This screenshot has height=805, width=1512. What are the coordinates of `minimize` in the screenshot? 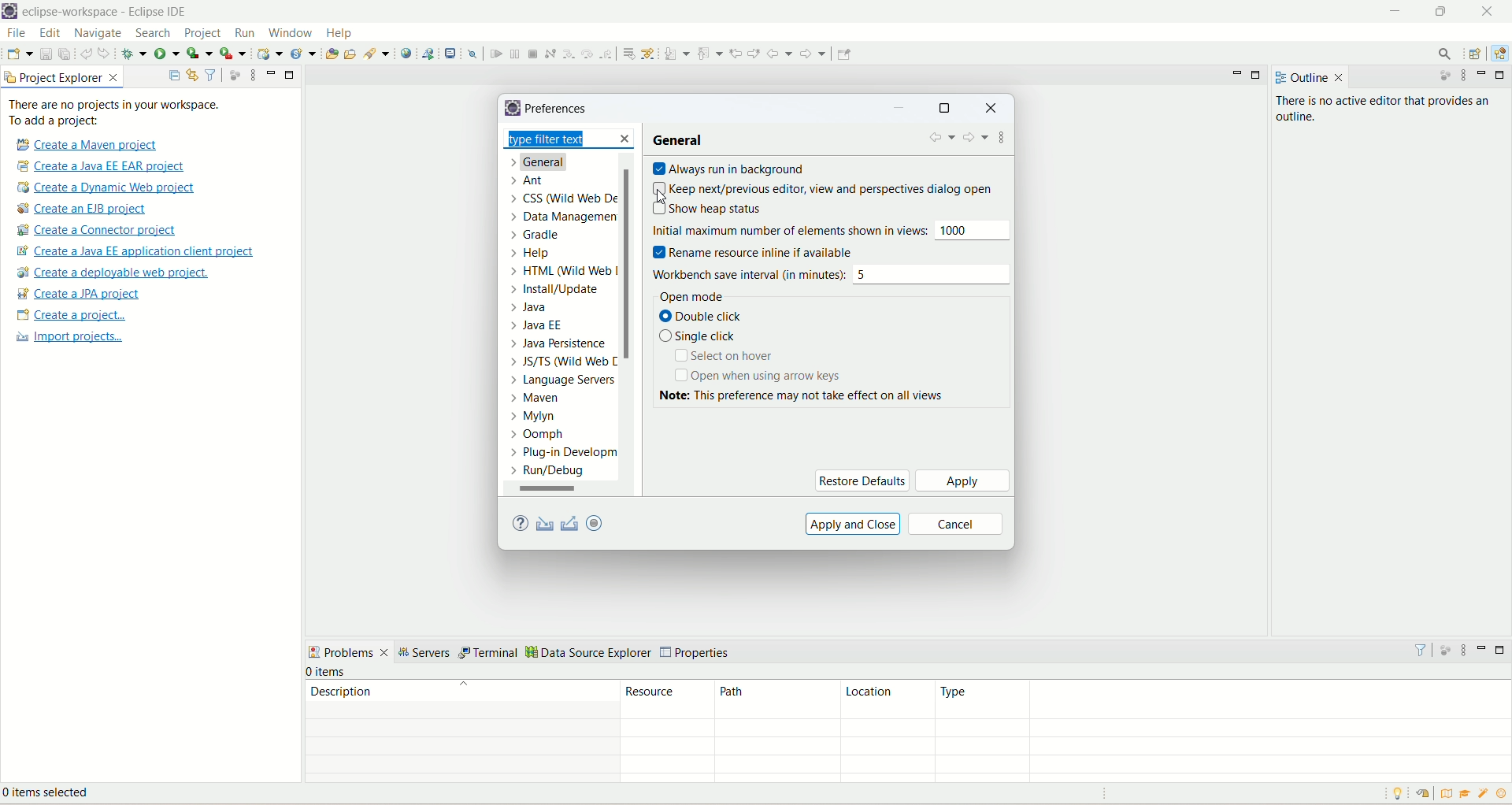 It's located at (1395, 13).